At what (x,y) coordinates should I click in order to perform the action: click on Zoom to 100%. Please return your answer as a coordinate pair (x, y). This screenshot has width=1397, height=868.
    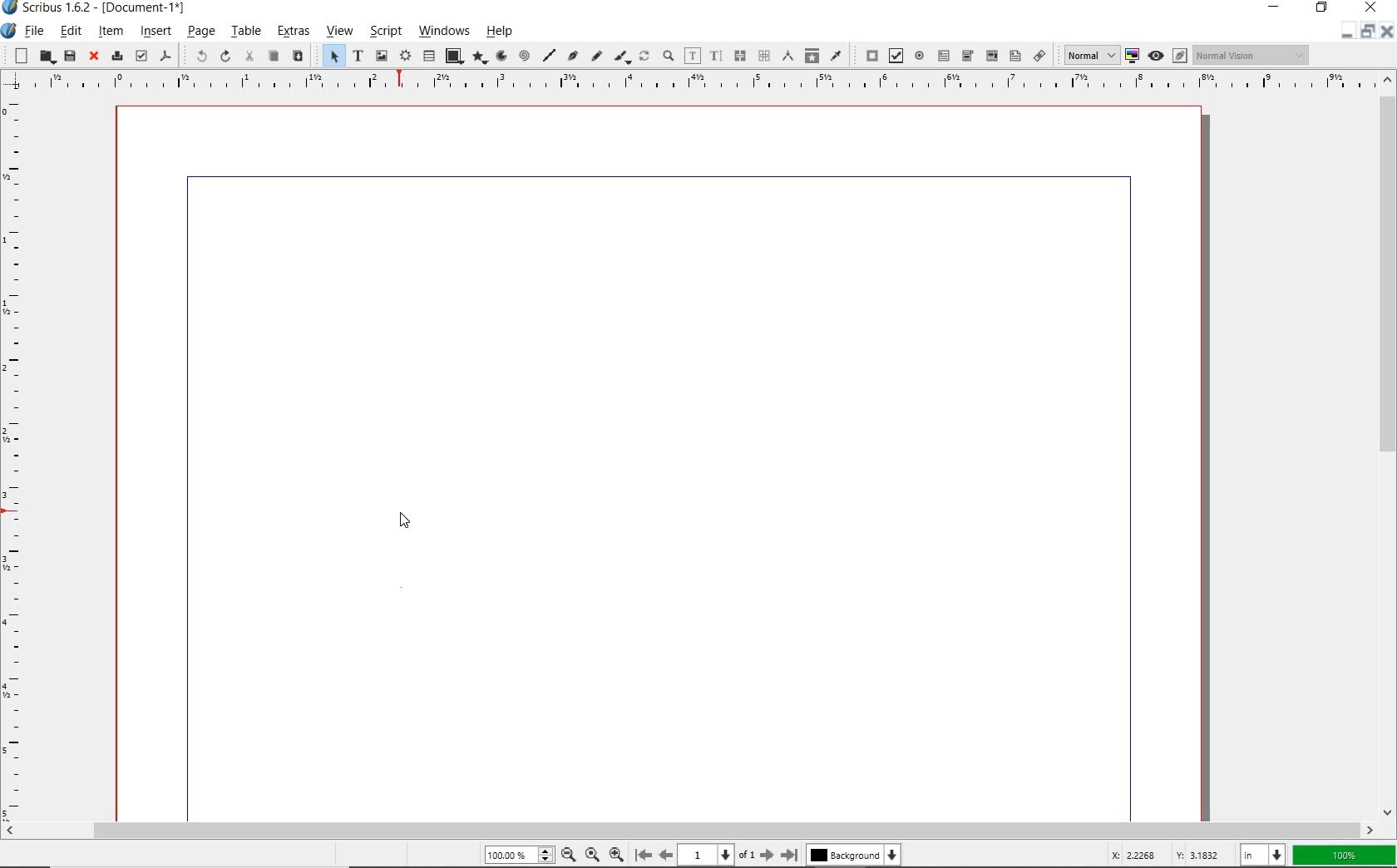
    Looking at the image, I should click on (590, 854).